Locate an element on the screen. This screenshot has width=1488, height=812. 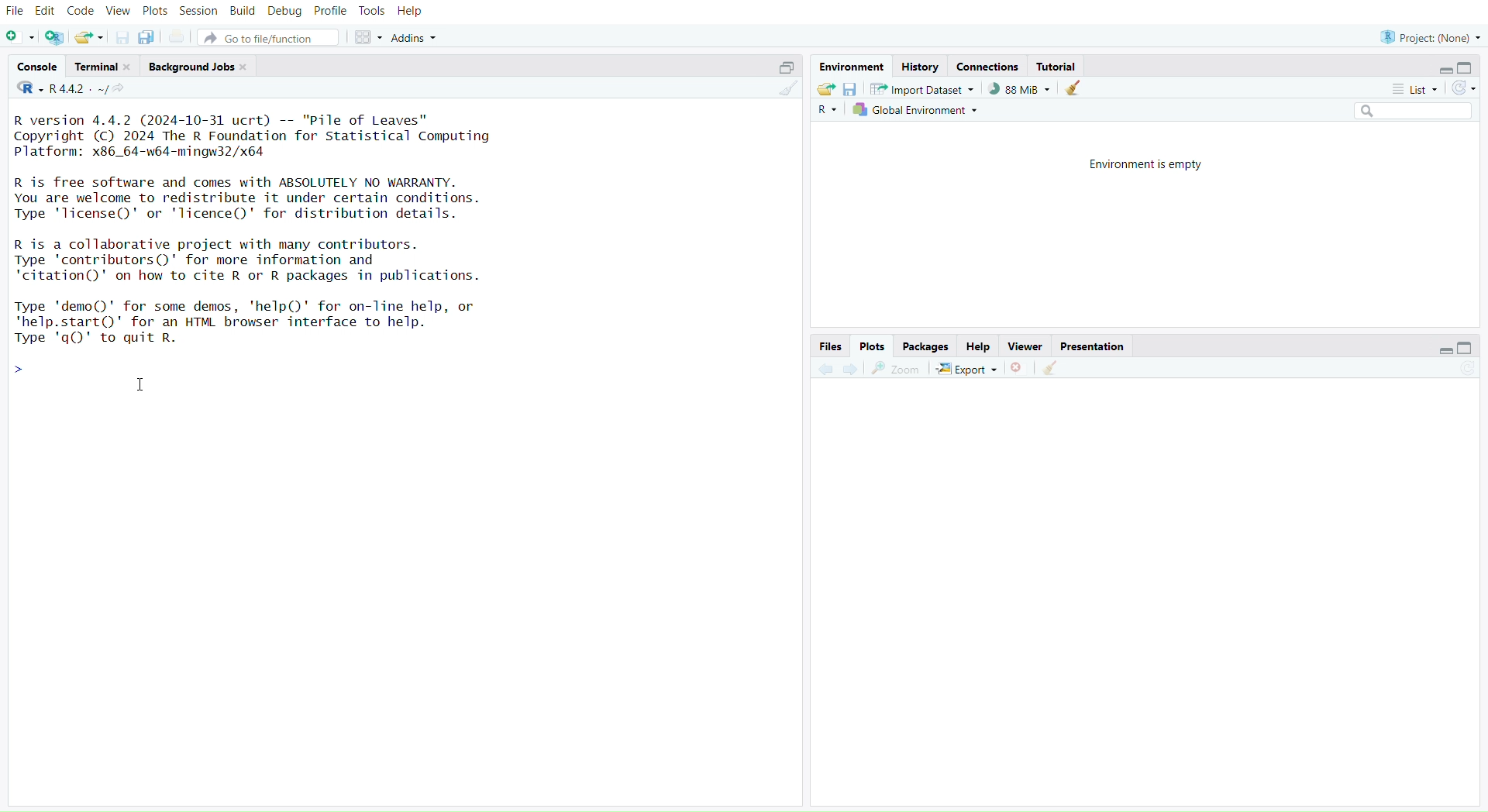
clear console is located at coordinates (787, 91).